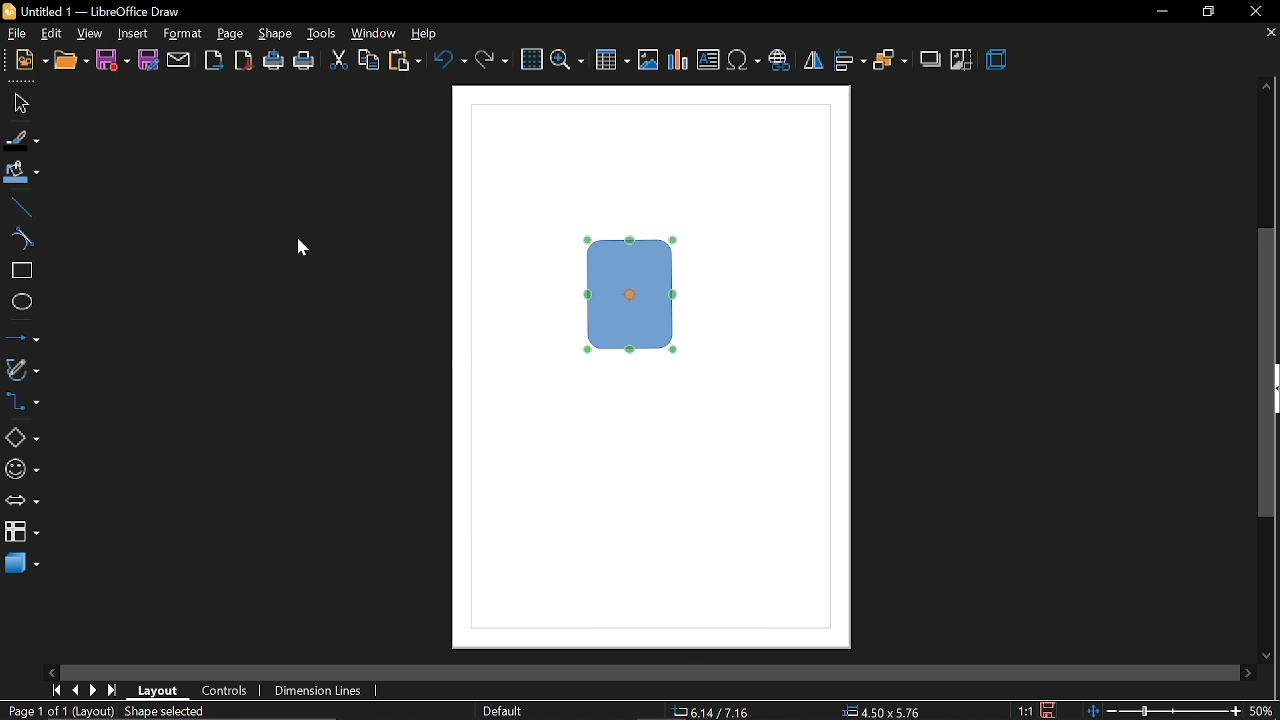  I want to click on 64.28 x31.12, so click(882, 712).